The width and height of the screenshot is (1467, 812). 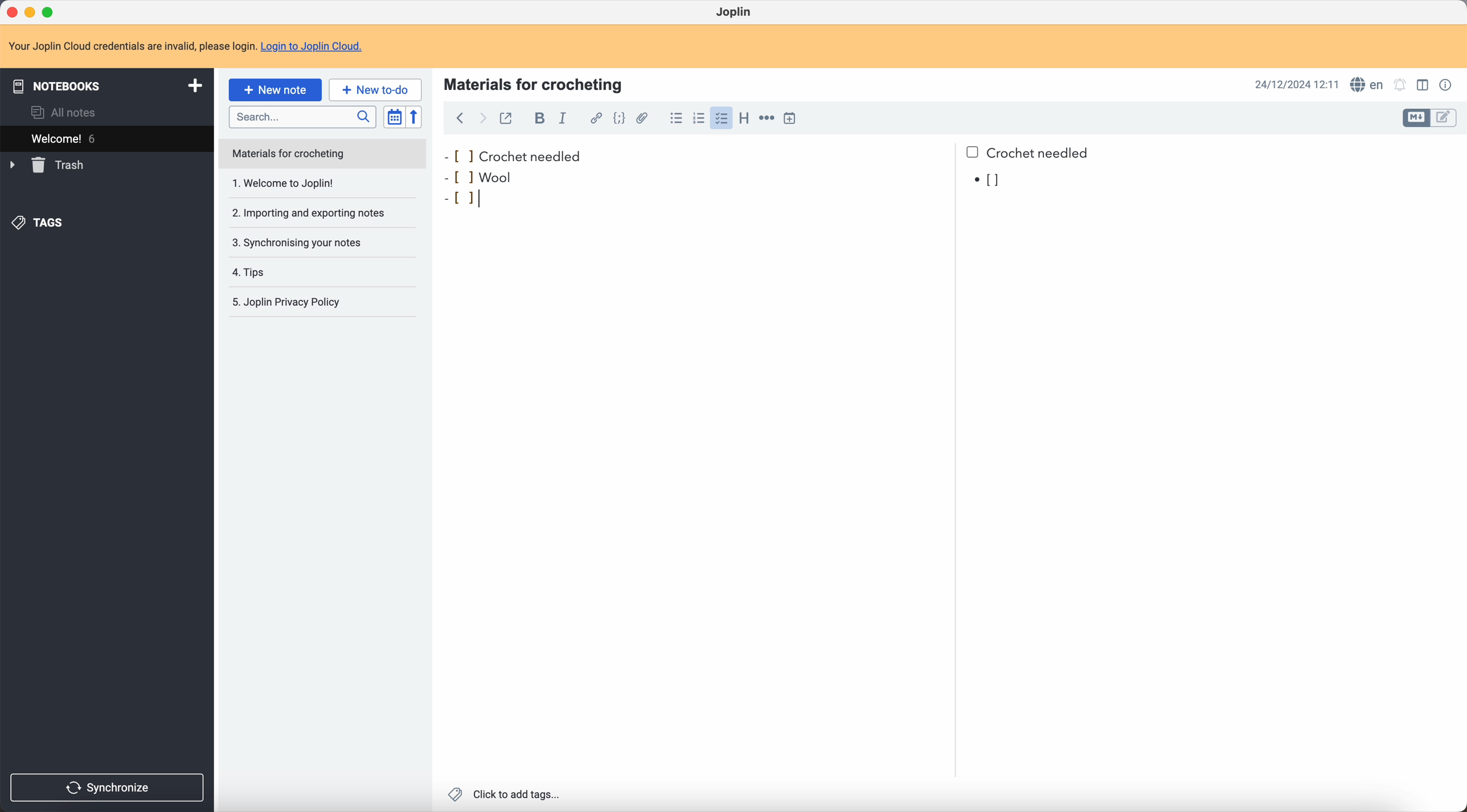 I want to click on tags, so click(x=40, y=224).